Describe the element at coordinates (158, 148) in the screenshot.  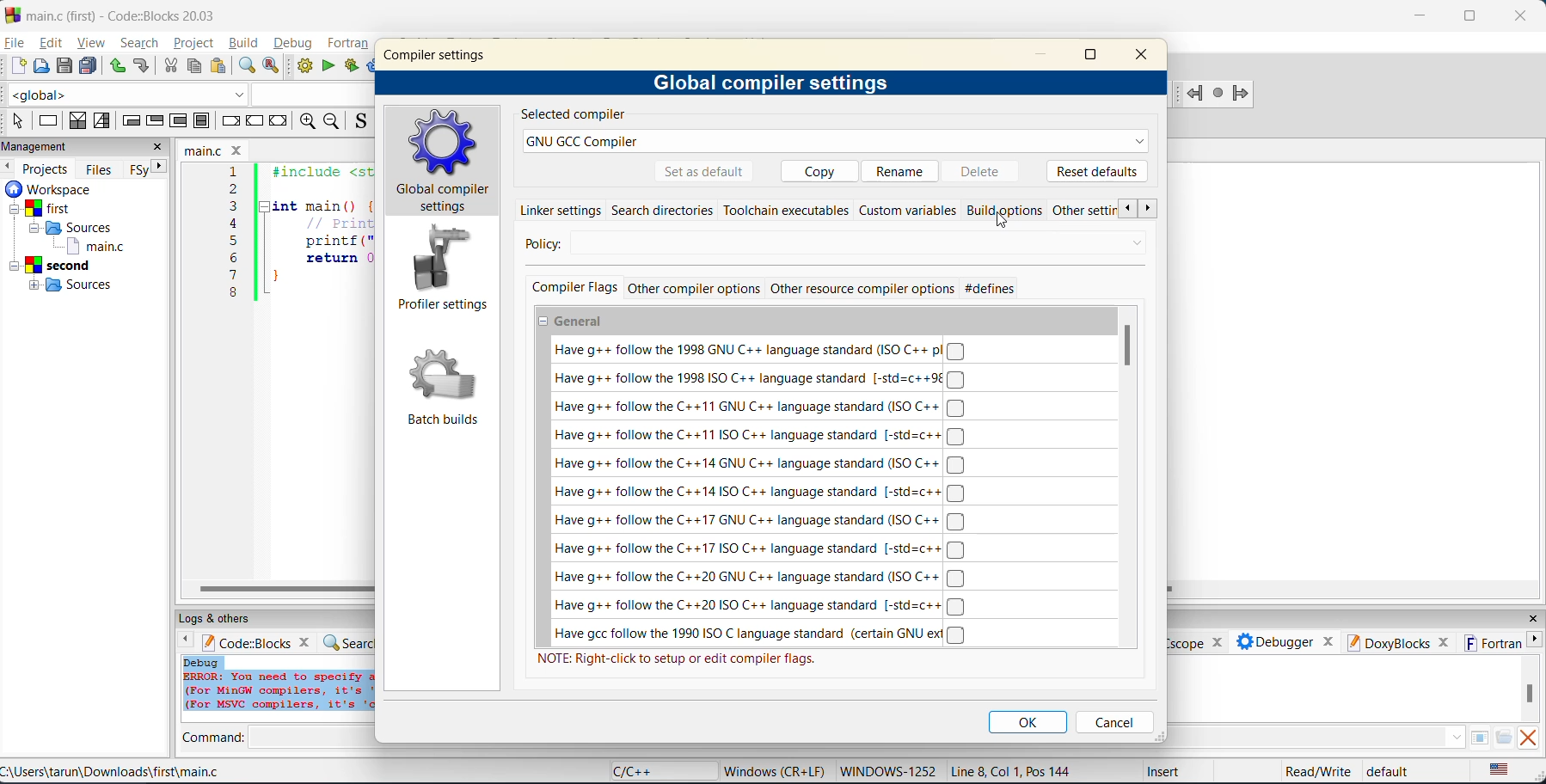
I see `close` at that location.